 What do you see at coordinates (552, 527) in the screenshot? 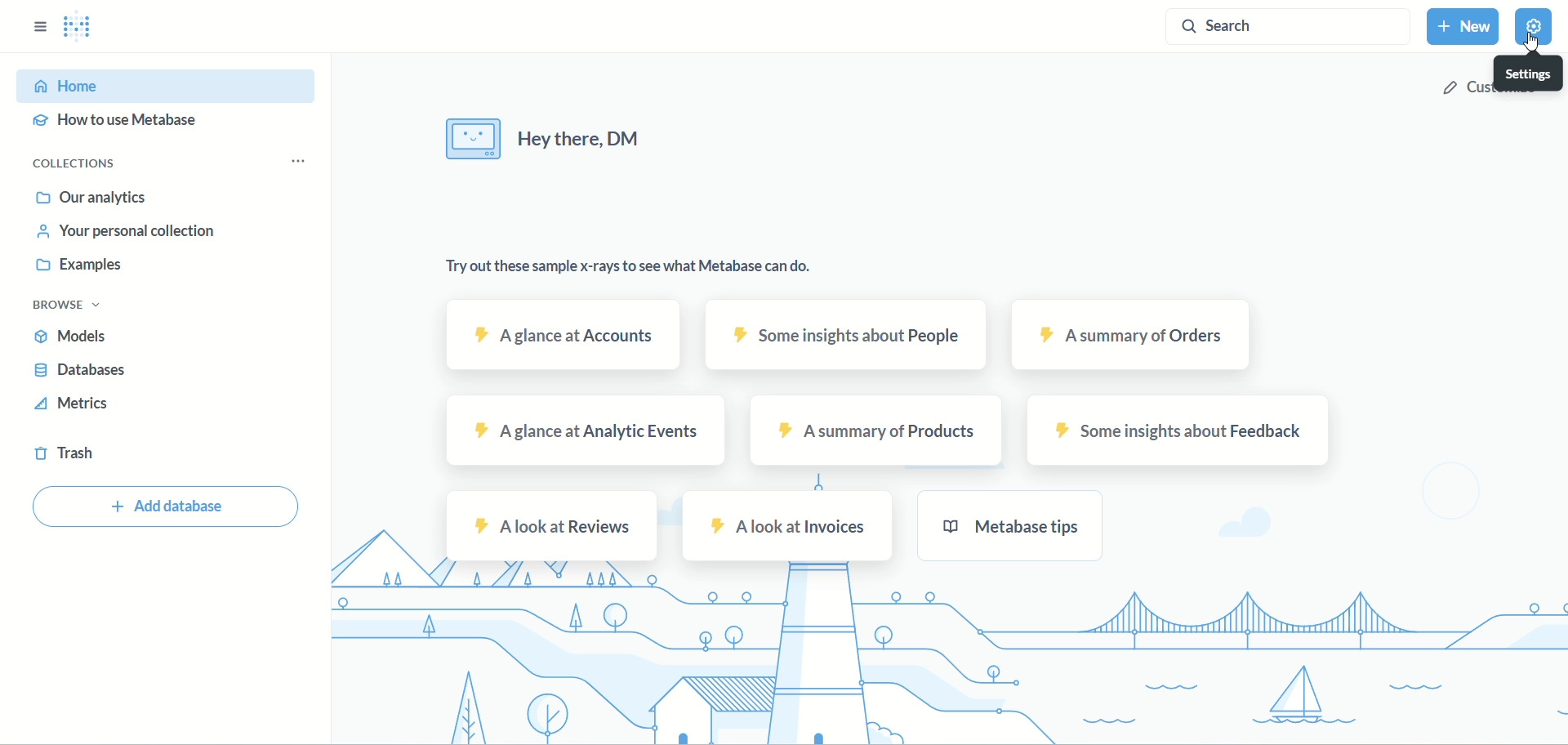
I see `reviews` at bounding box center [552, 527].